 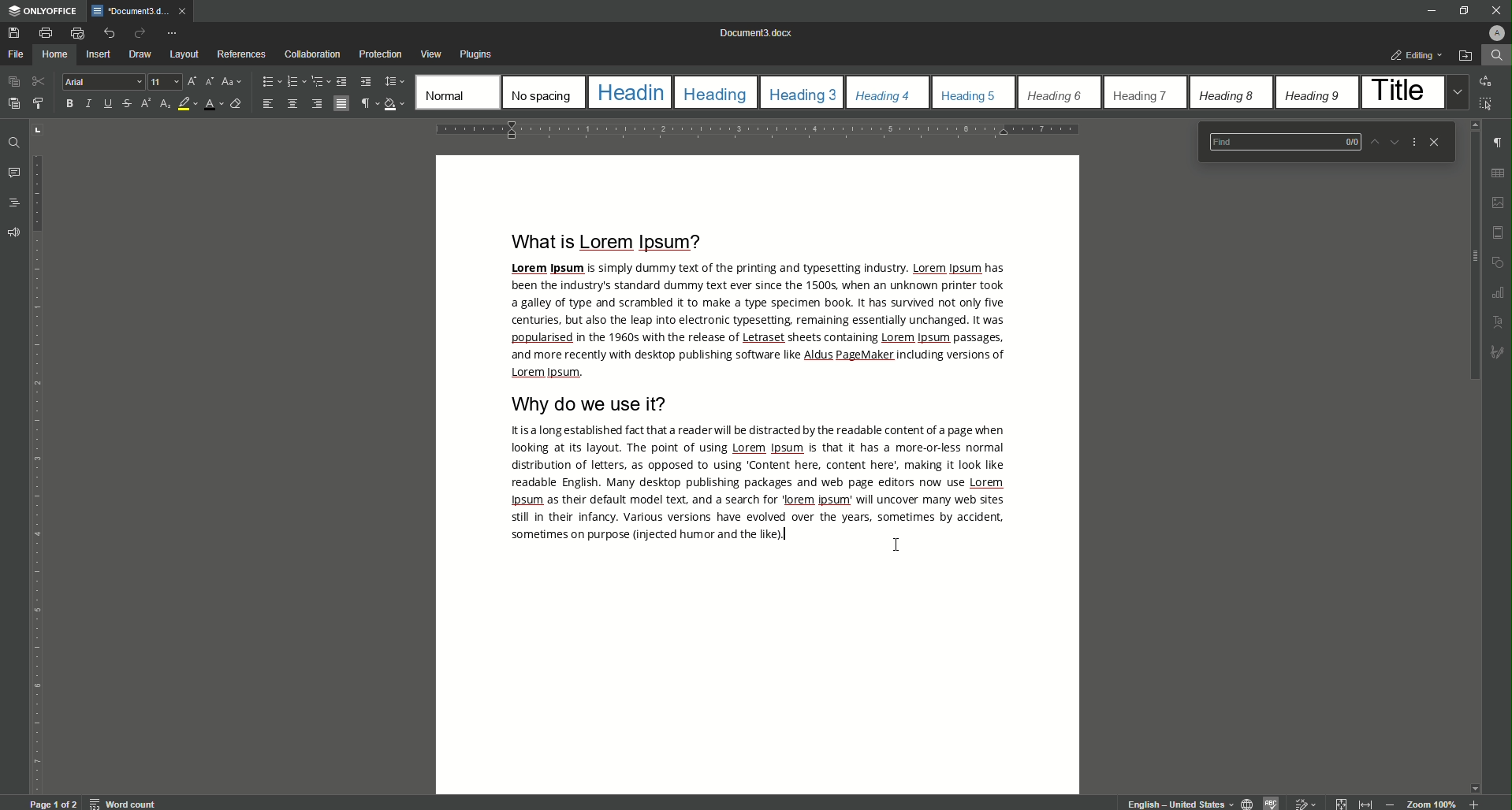 I want to click on Feedback, so click(x=17, y=231).